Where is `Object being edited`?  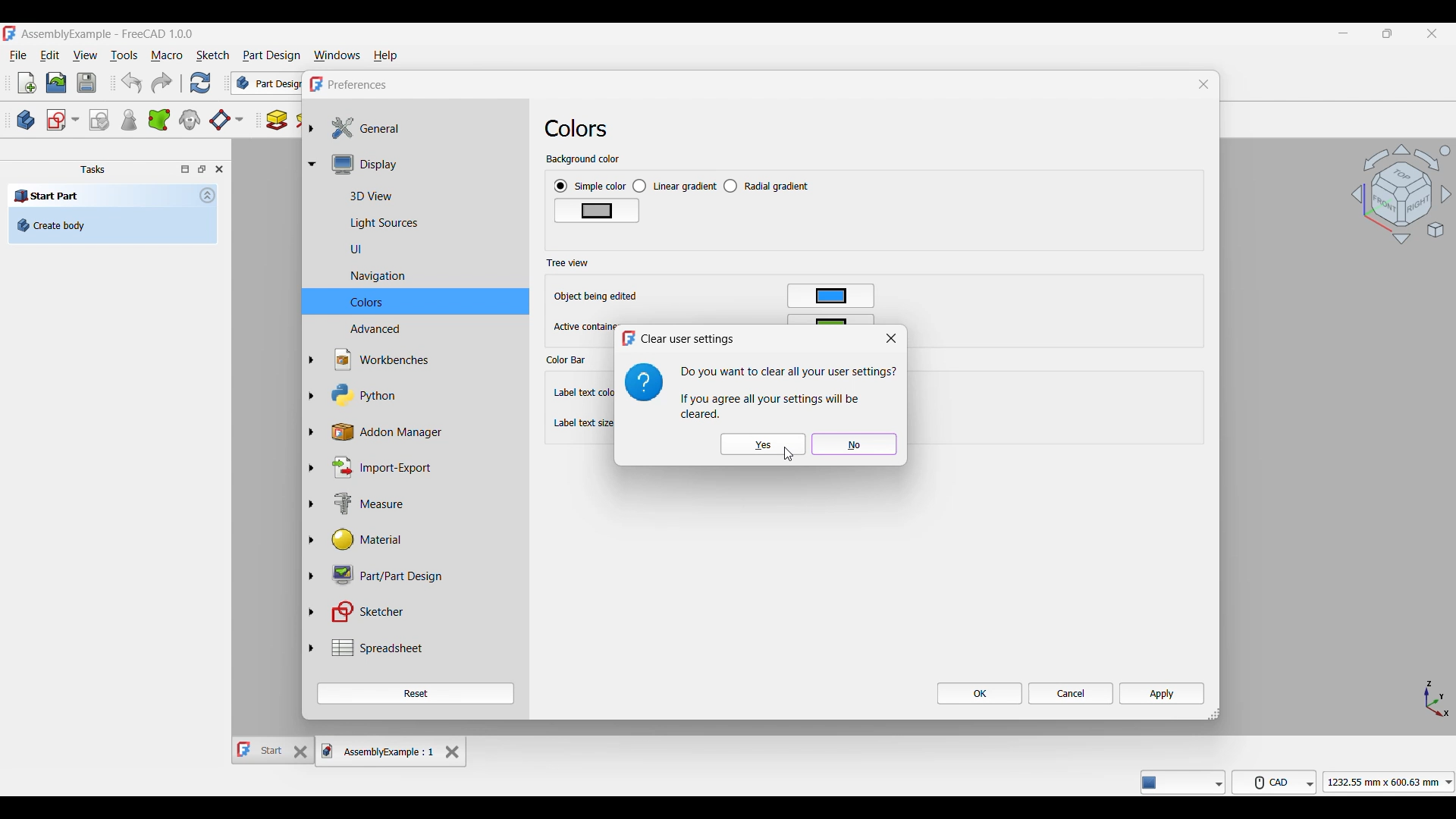 Object being edited is located at coordinates (598, 297).